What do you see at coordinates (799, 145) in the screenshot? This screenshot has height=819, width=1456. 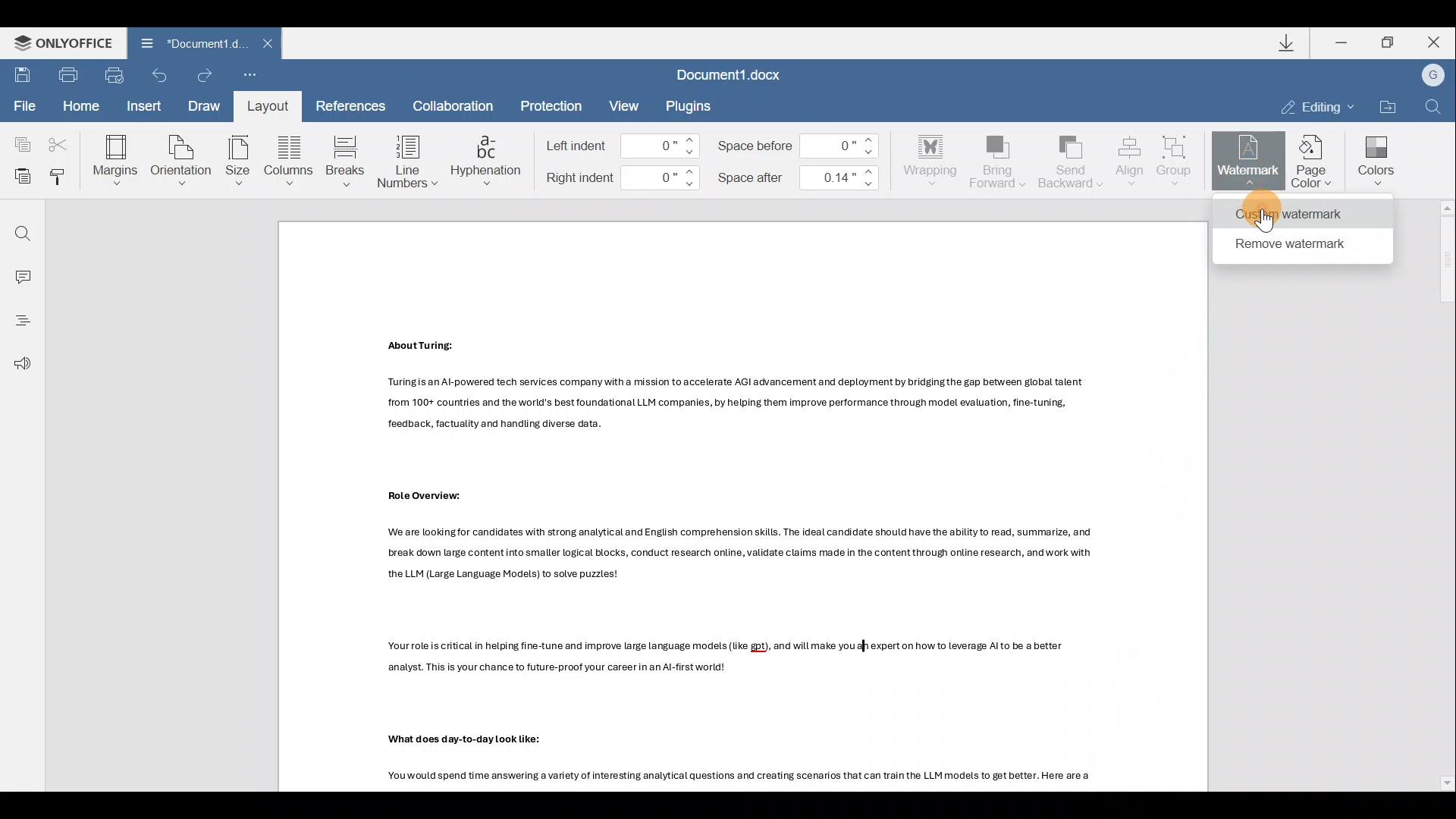 I see `Space before` at bounding box center [799, 145].